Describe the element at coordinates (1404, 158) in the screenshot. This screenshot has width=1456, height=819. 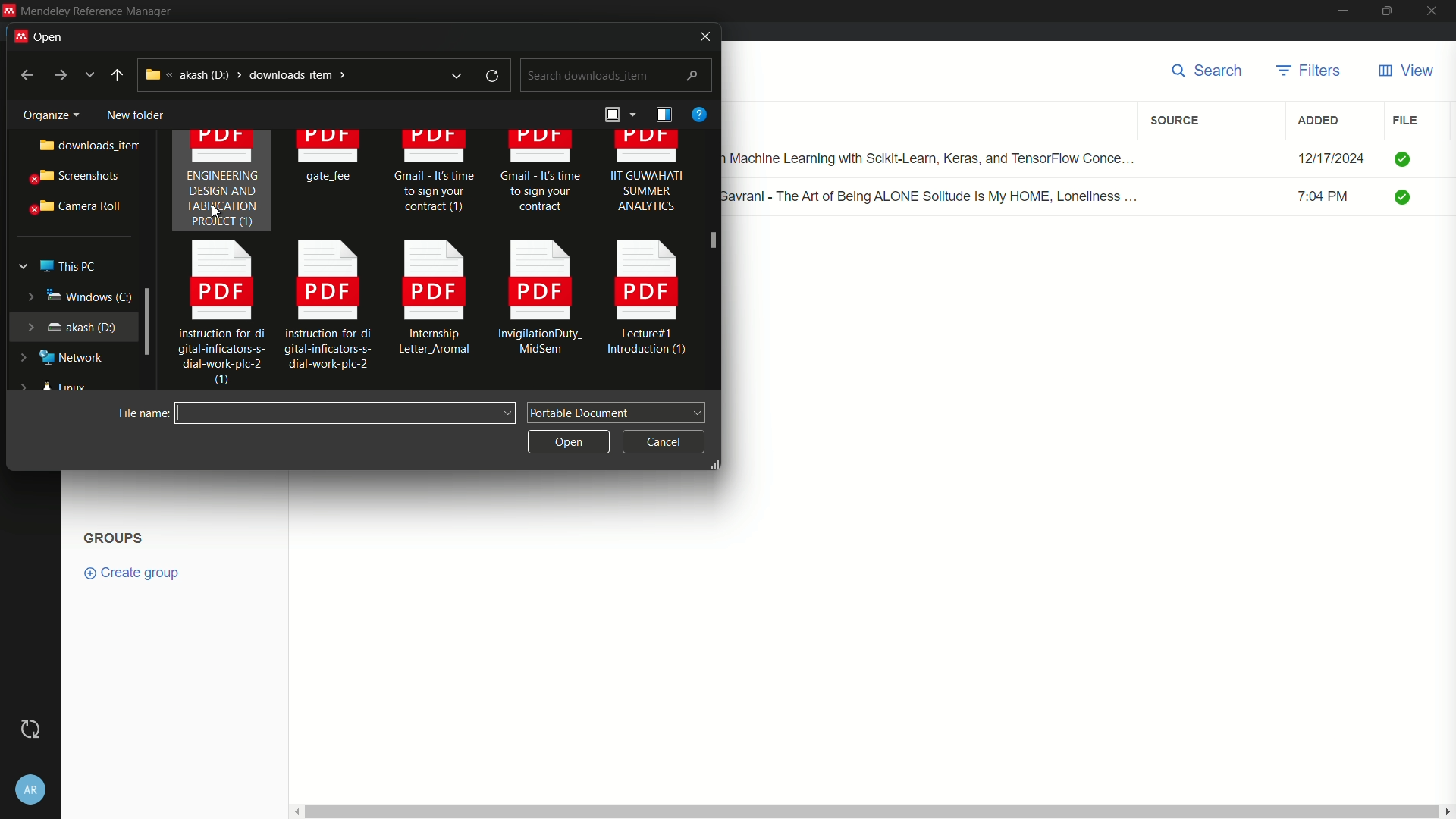
I see `check` at that location.